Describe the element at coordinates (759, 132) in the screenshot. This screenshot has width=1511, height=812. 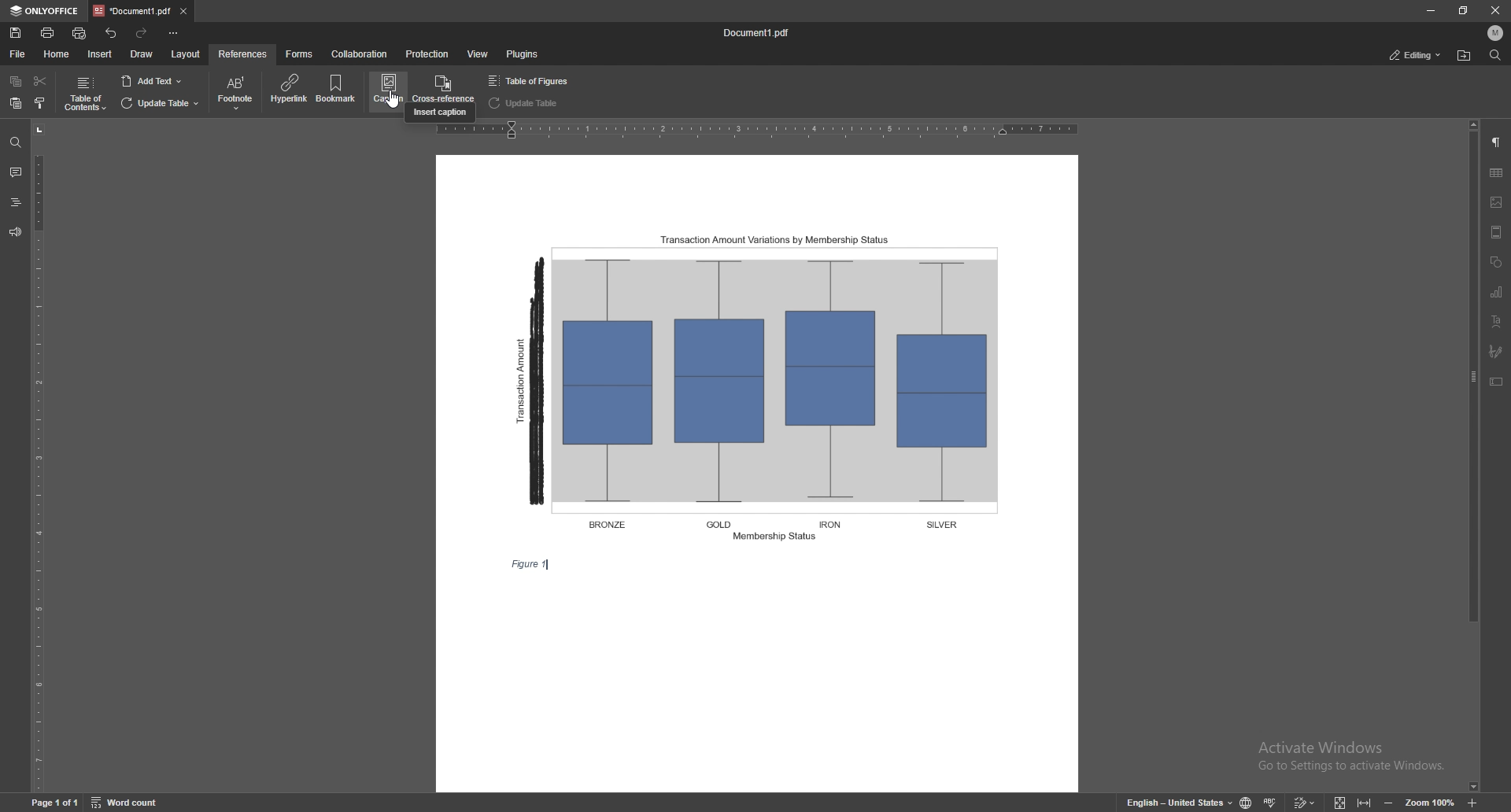
I see `horizontal scale` at that location.